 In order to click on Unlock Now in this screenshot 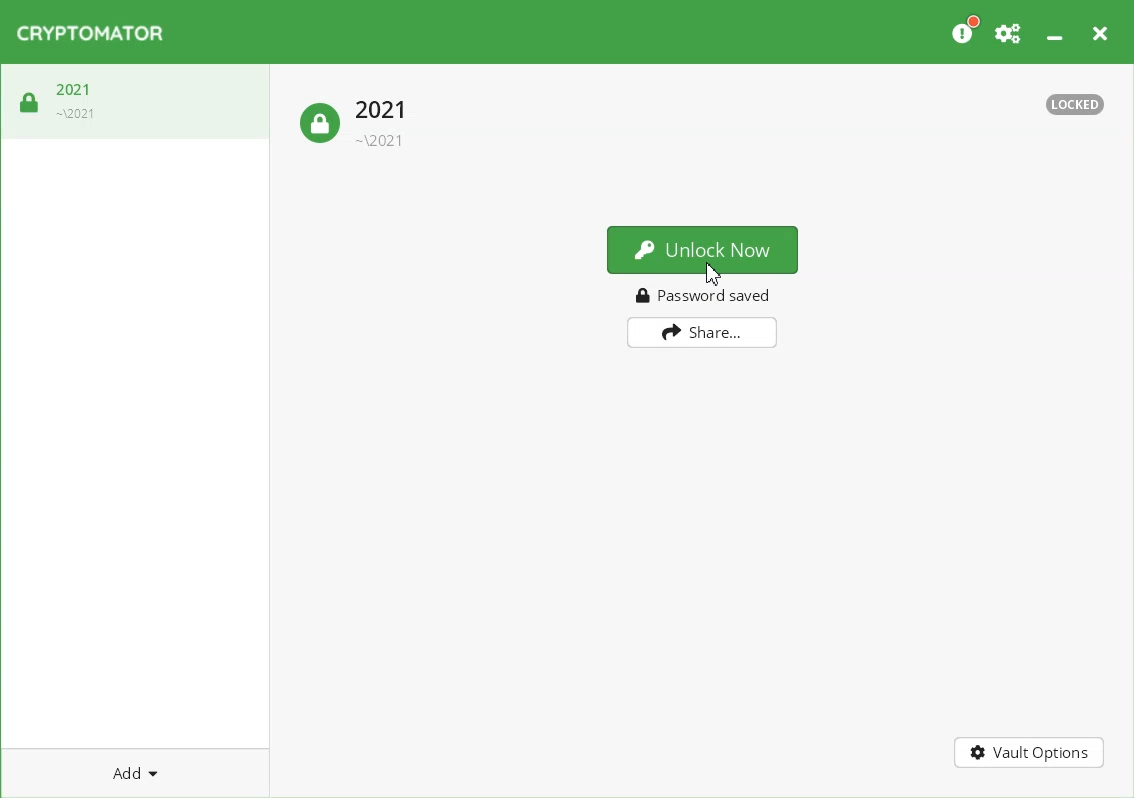, I will do `click(704, 247)`.